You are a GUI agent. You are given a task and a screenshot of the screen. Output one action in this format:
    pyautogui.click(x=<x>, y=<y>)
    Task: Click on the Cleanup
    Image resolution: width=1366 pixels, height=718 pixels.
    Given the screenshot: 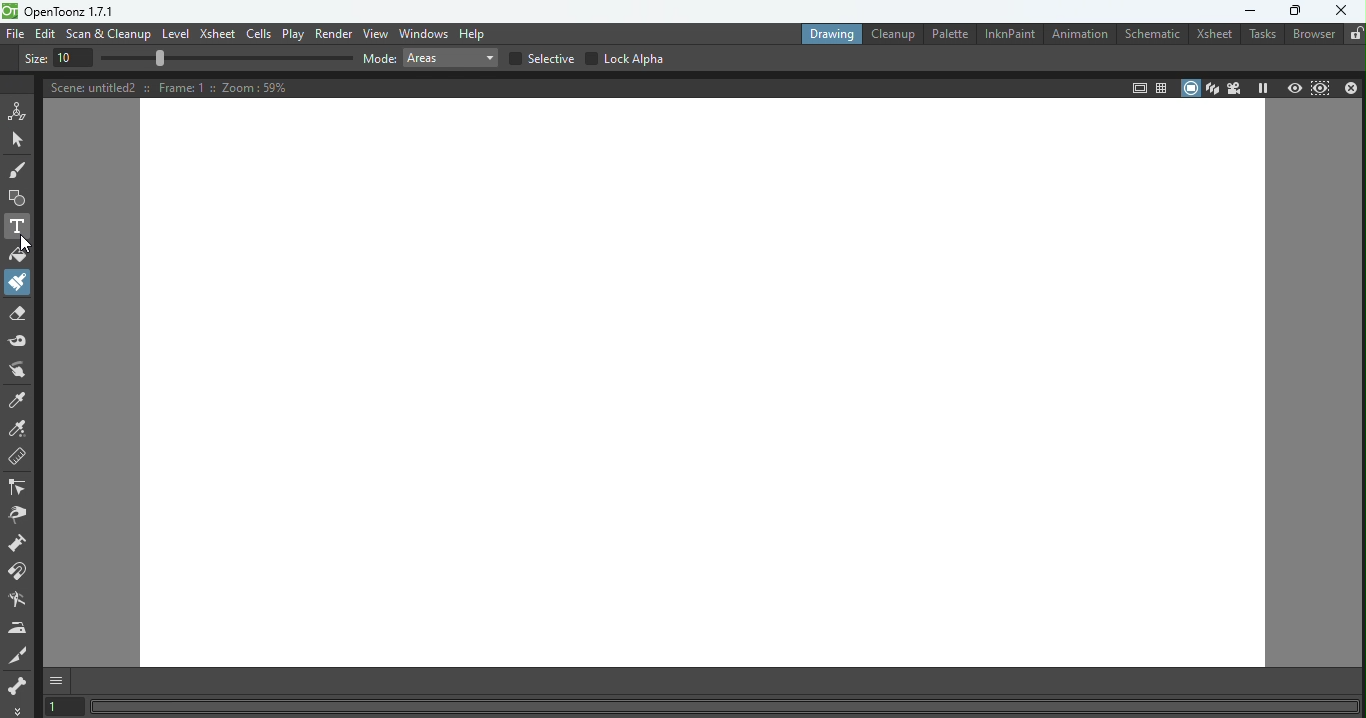 What is the action you would take?
    pyautogui.click(x=890, y=35)
    